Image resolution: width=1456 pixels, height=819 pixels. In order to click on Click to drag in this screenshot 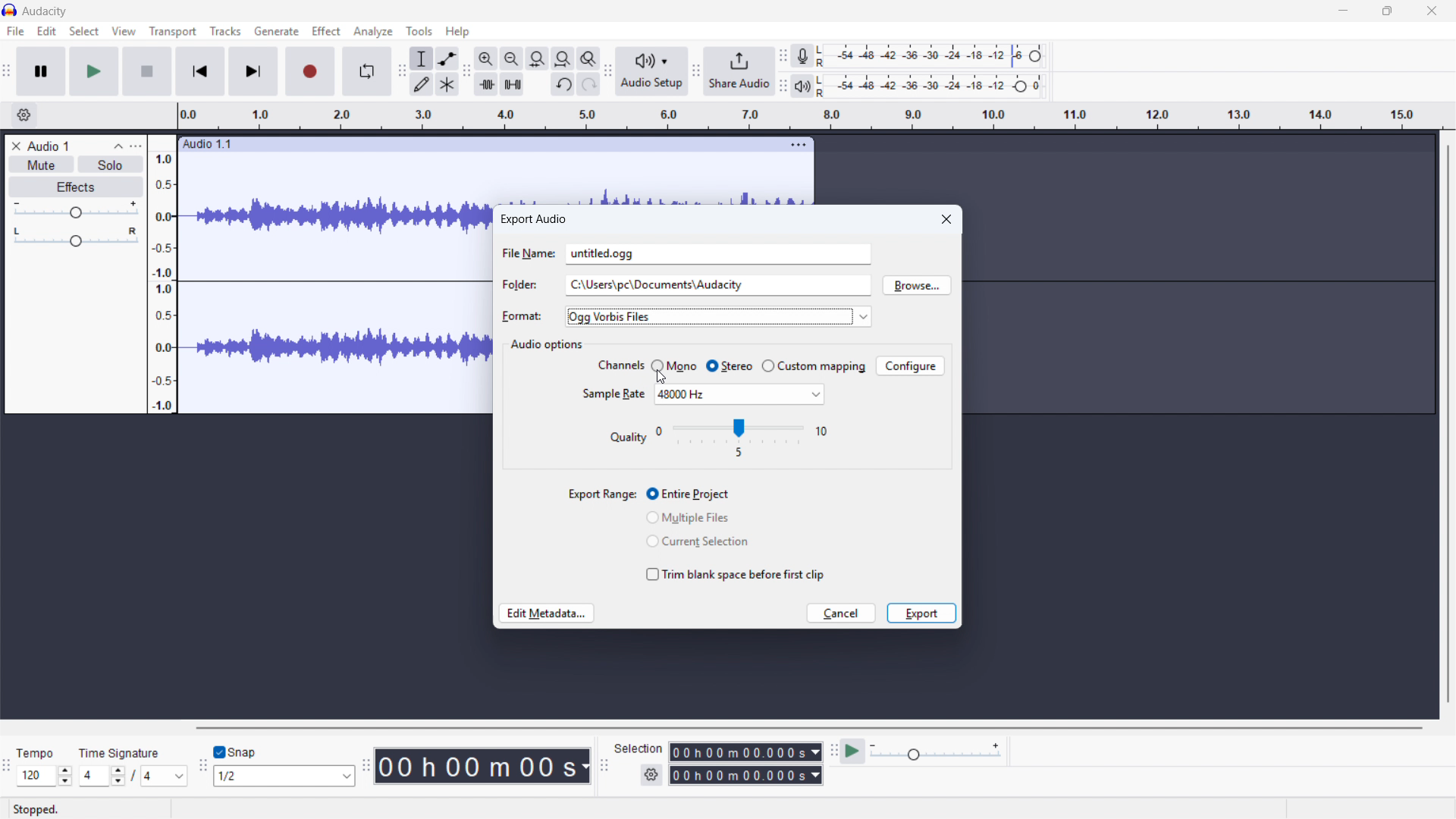, I will do `click(470, 145)`.